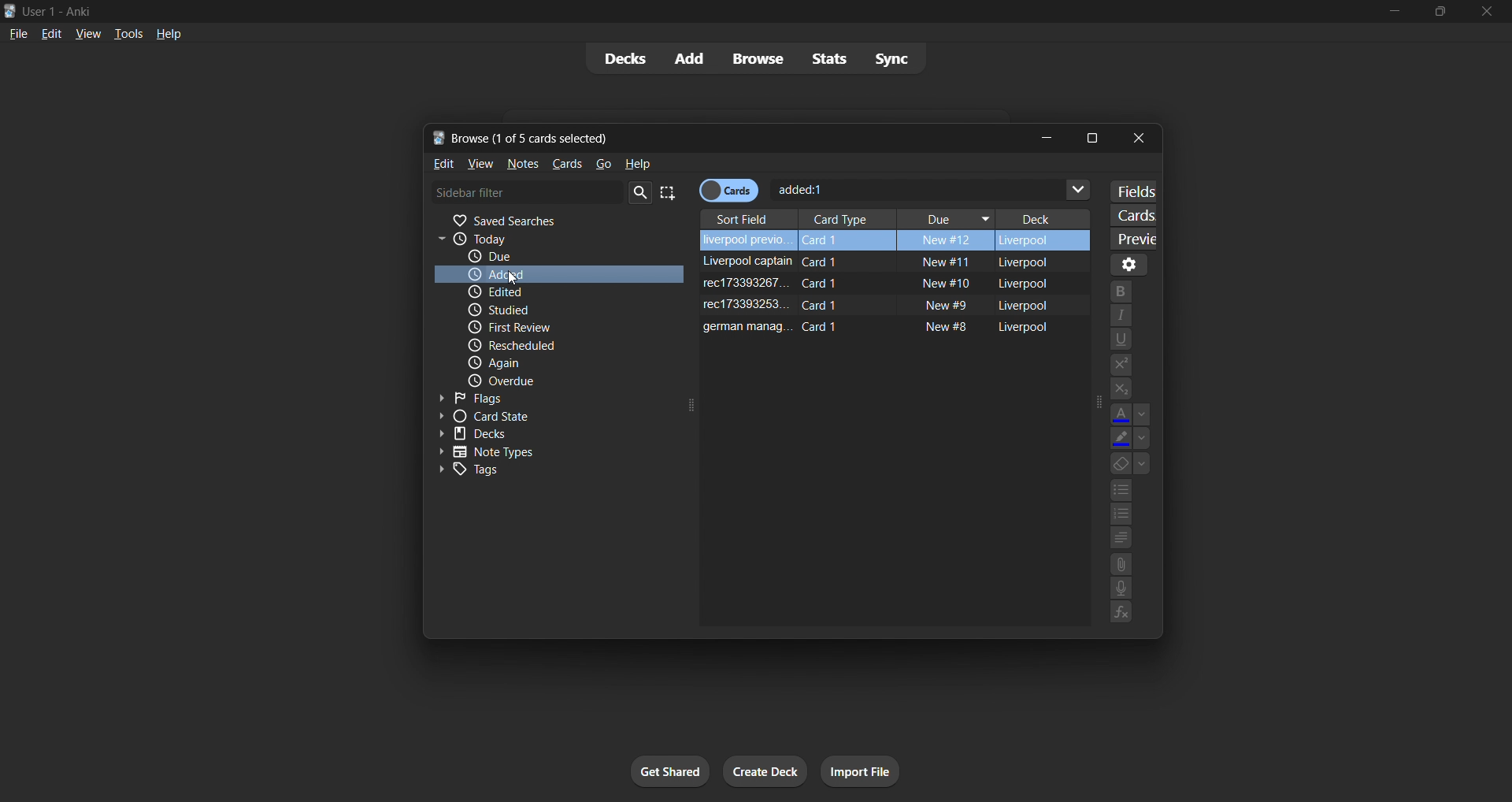 Image resolution: width=1512 pixels, height=802 pixels. What do you see at coordinates (543, 292) in the screenshot?
I see `edited` at bounding box center [543, 292].